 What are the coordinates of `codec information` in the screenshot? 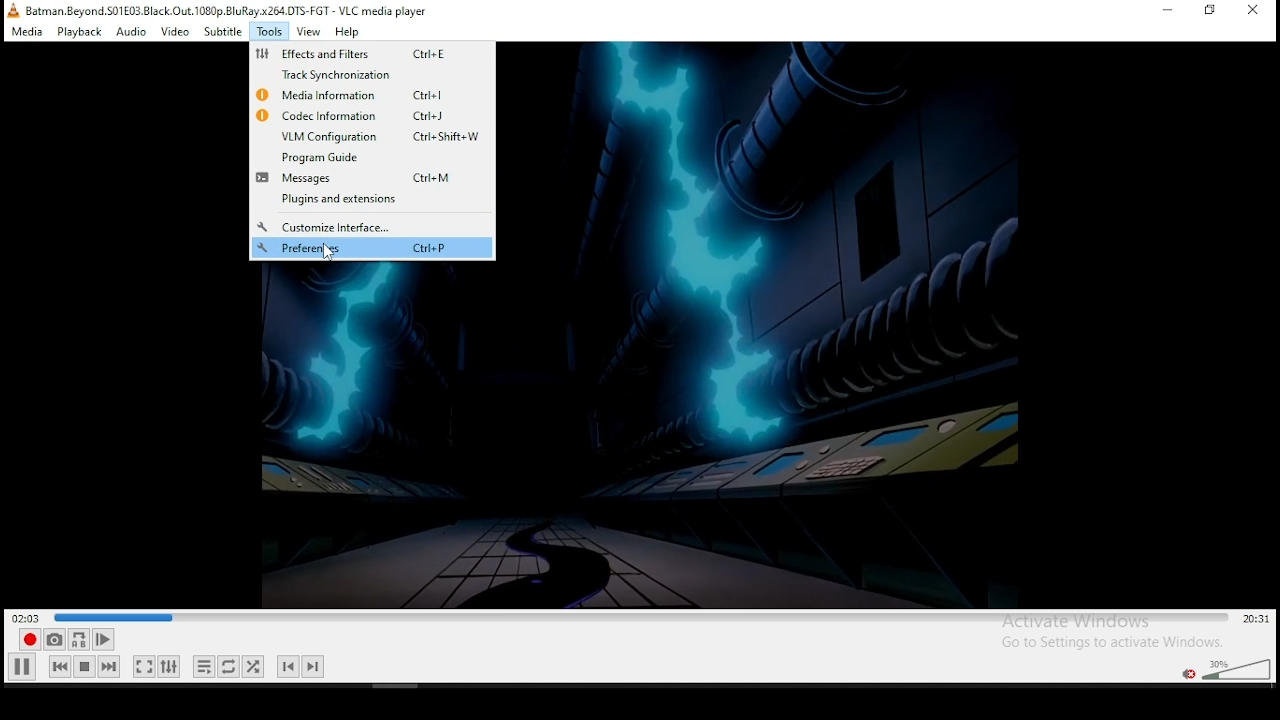 It's located at (369, 114).